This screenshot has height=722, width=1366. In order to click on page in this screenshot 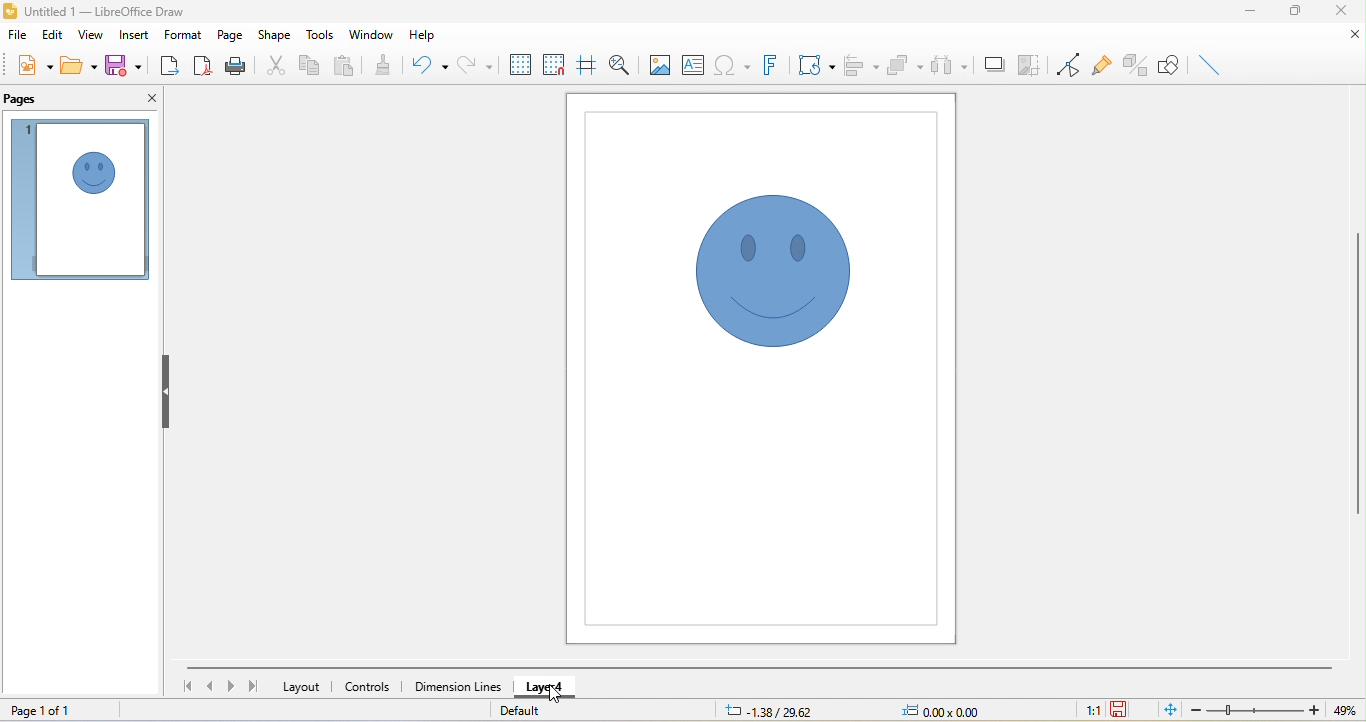, I will do `click(229, 36)`.